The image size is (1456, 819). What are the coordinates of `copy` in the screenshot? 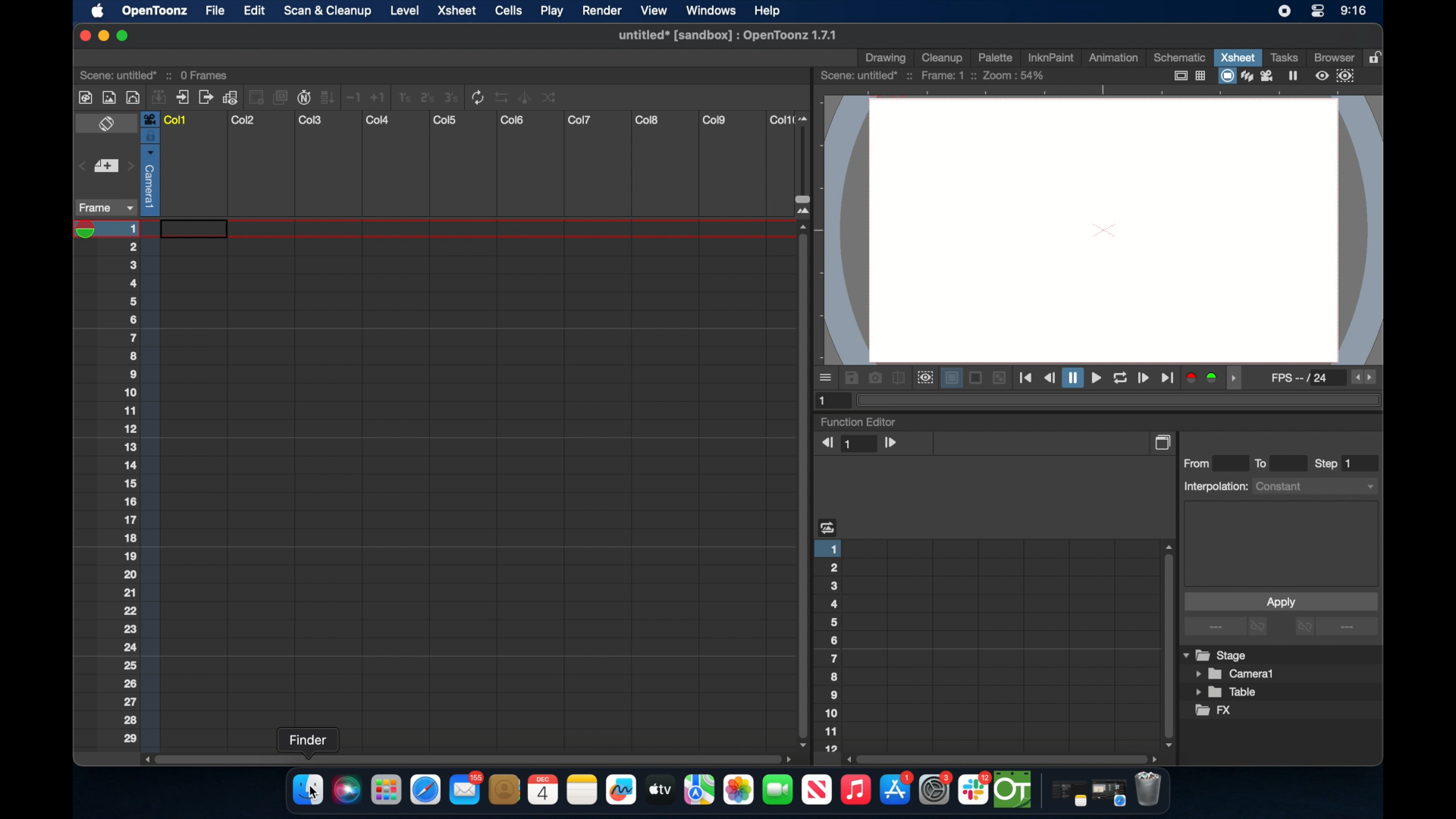 It's located at (1165, 442).